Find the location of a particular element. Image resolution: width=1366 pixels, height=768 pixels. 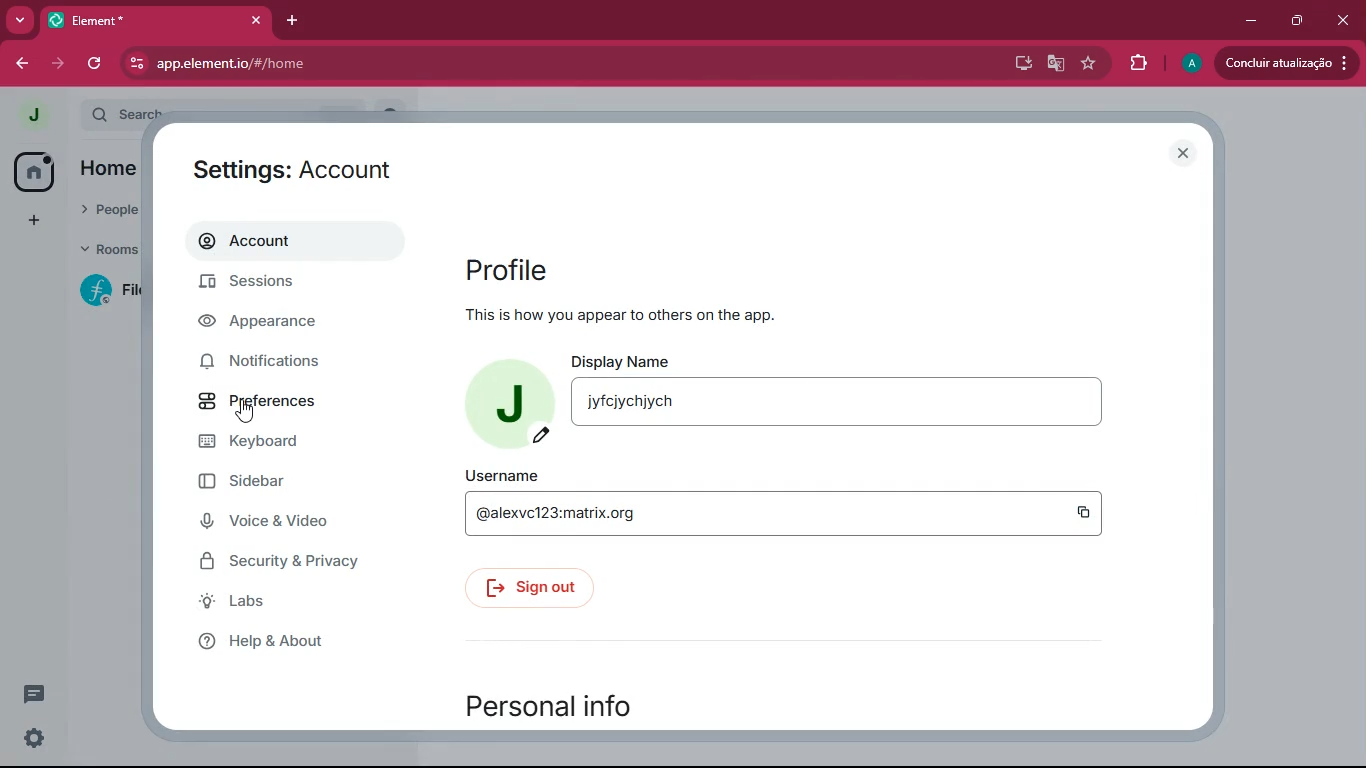

notifications is located at coordinates (290, 362).